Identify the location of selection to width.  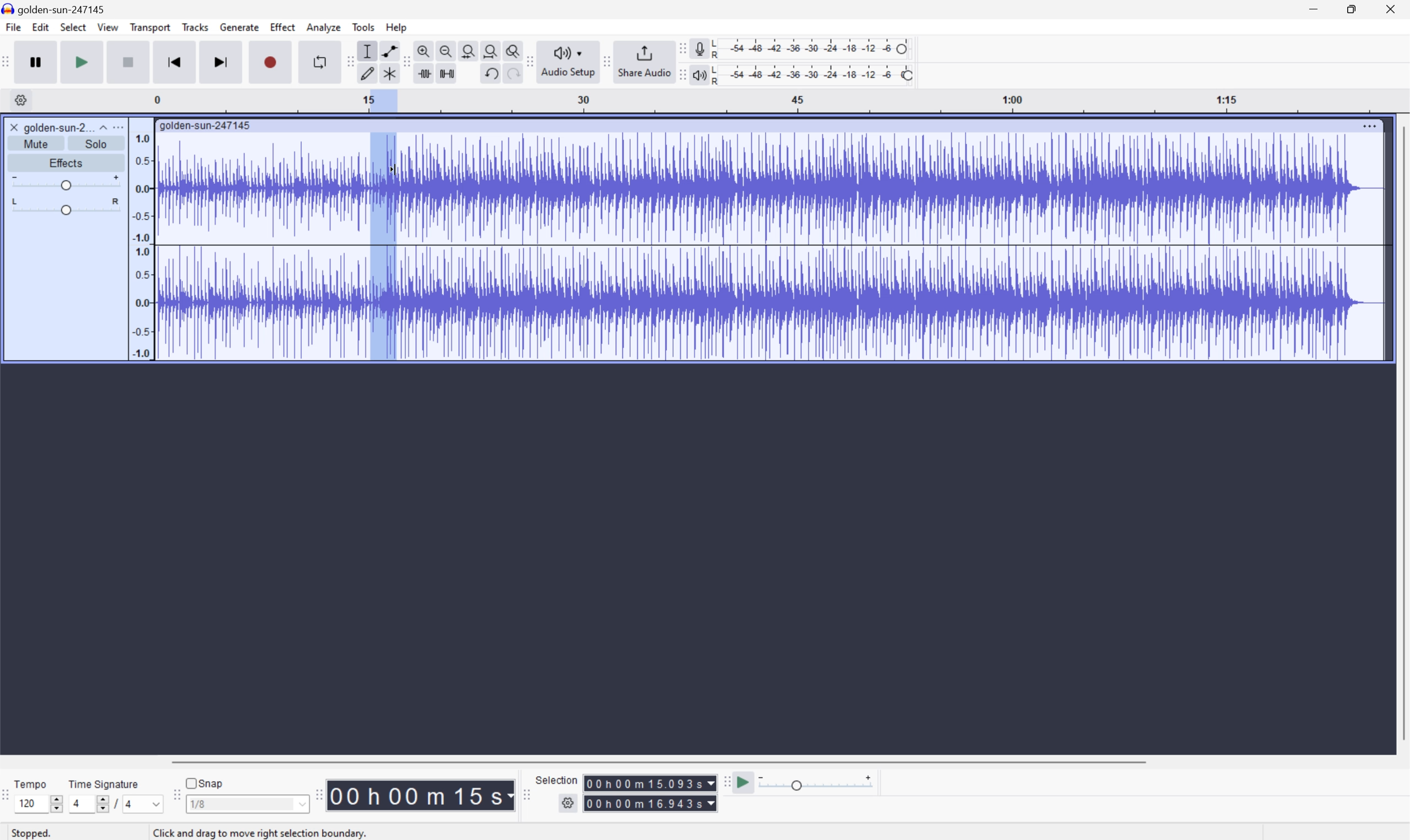
(470, 49).